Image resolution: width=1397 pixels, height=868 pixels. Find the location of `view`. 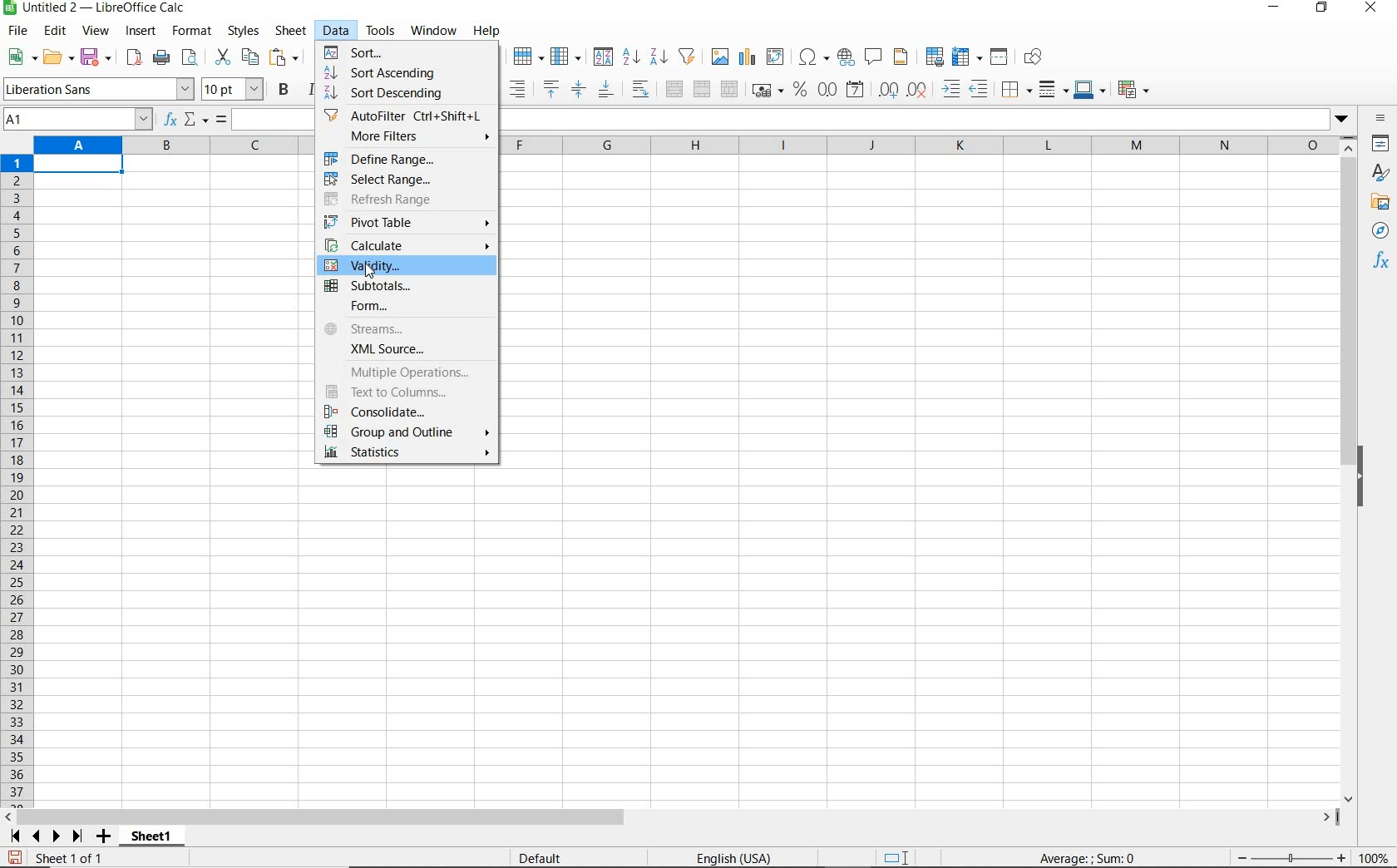

view is located at coordinates (96, 32).